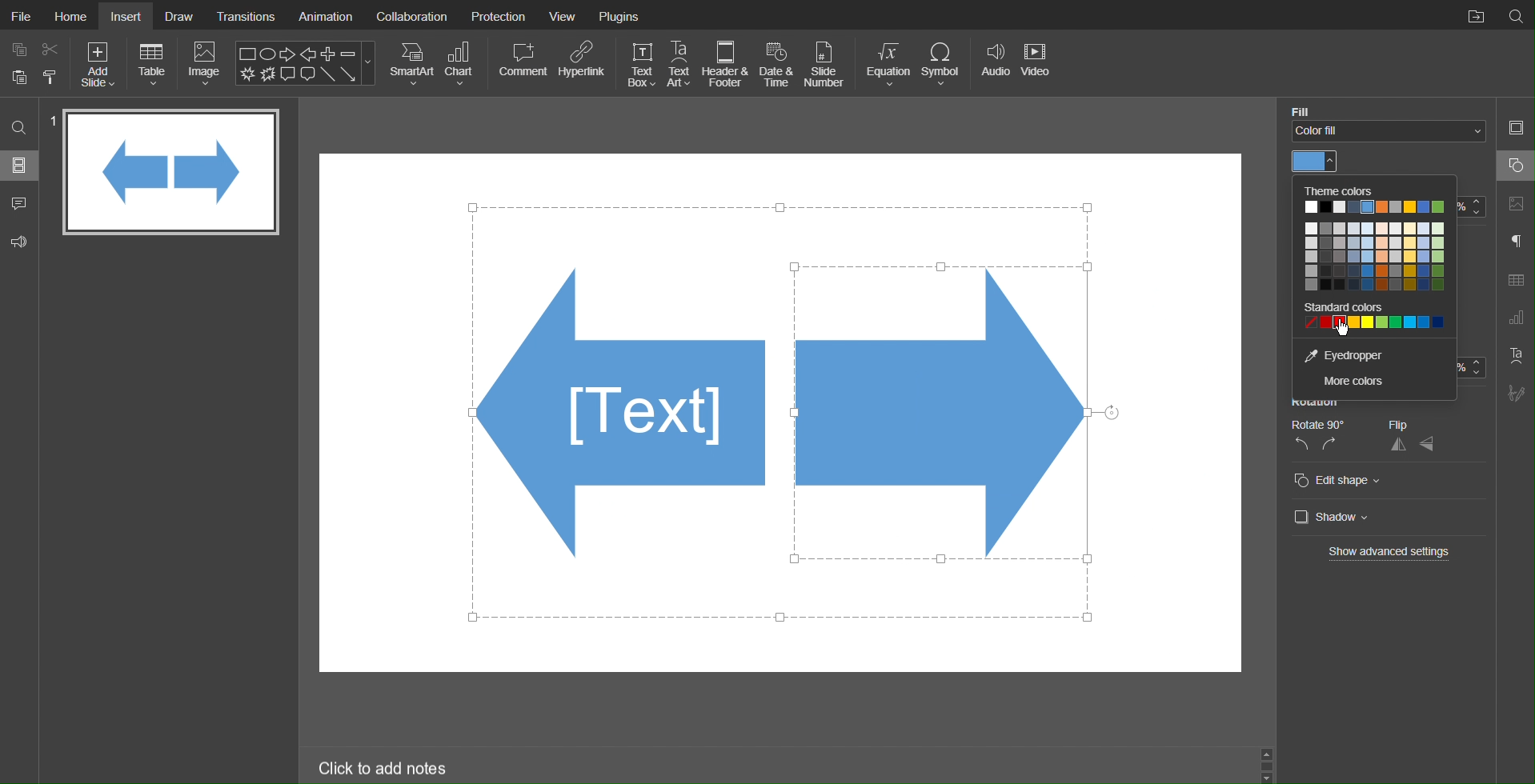  Describe the element at coordinates (412, 15) in the screenshot. I see `Collaboration` at that location.